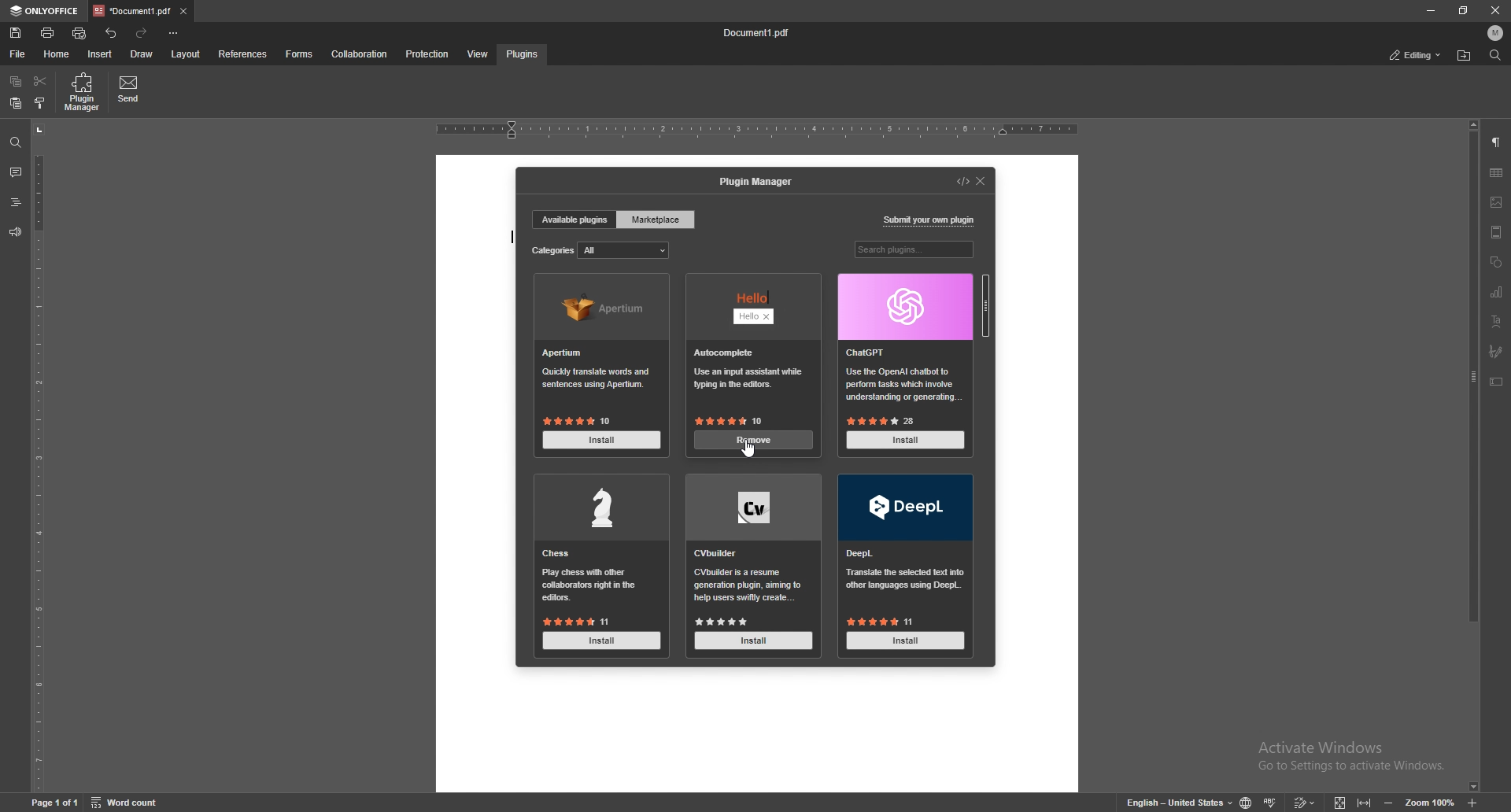  Describe the element at coordinates (605, 550) in the screenshot. I see `chess` at that location.